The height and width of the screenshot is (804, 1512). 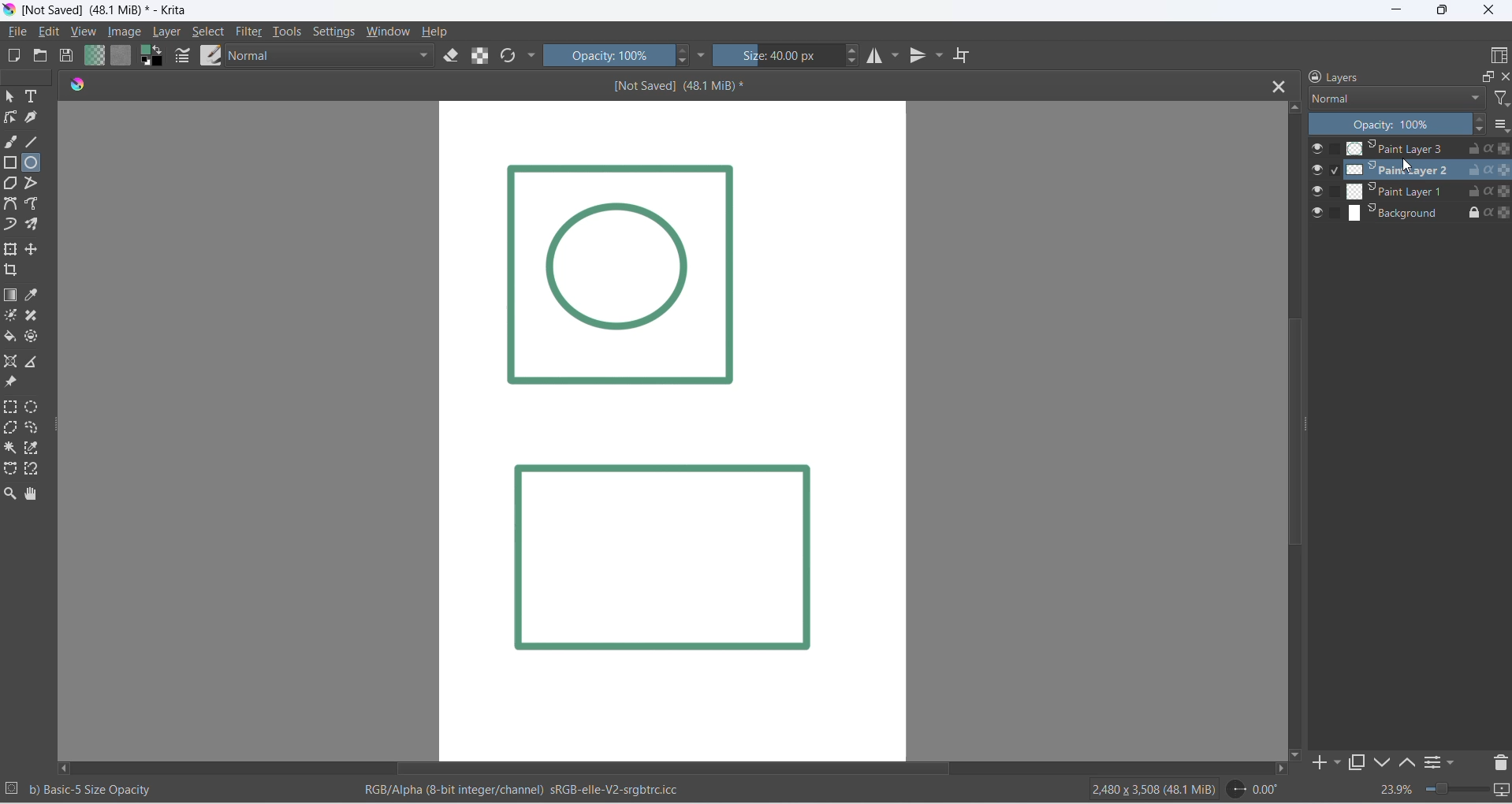 I want to click on reference image tool, so click(x=13, y=384).